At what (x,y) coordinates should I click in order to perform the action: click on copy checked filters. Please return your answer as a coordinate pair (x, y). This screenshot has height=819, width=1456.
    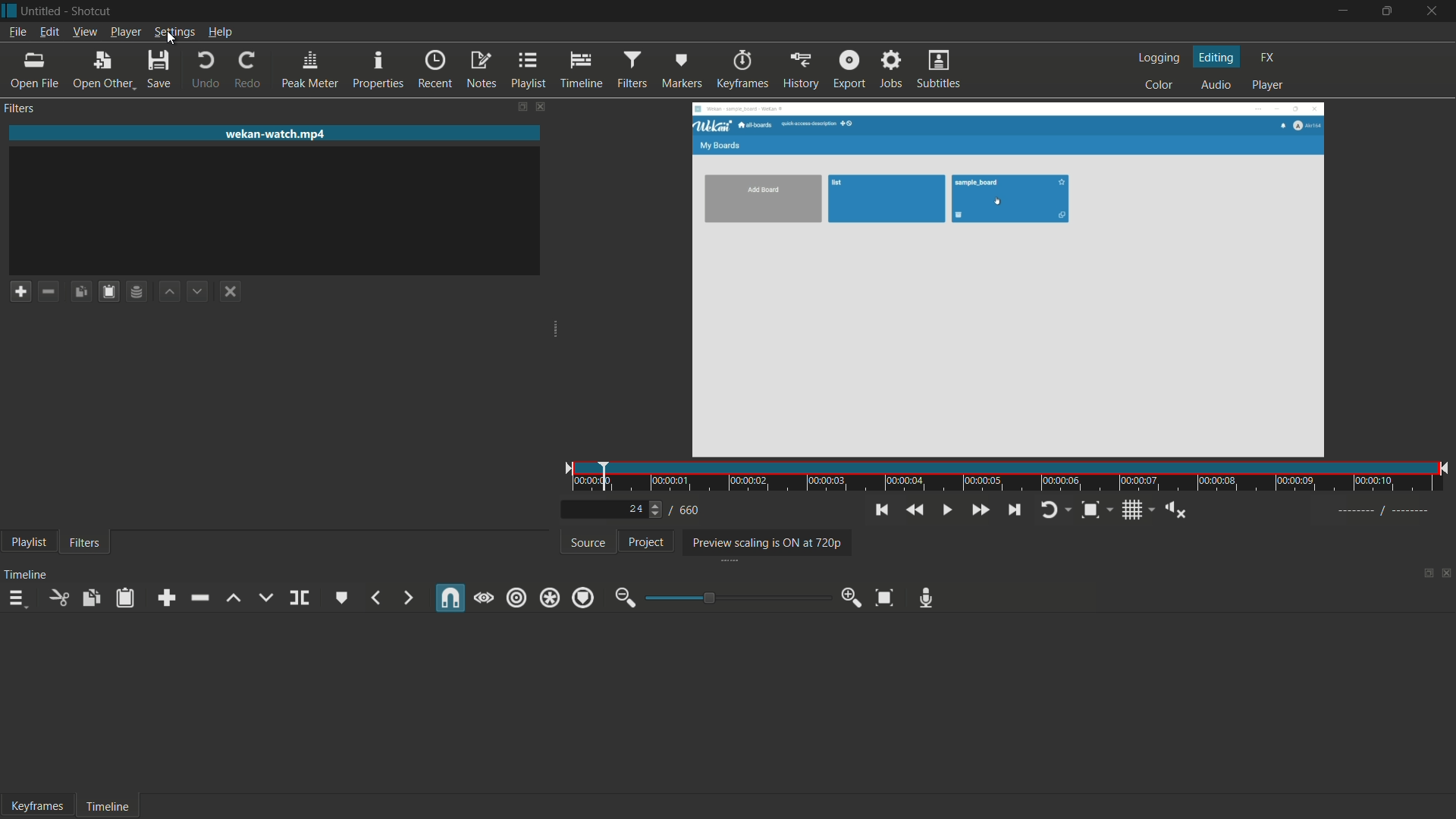
    Looking at the image, I should click on (78, 292).